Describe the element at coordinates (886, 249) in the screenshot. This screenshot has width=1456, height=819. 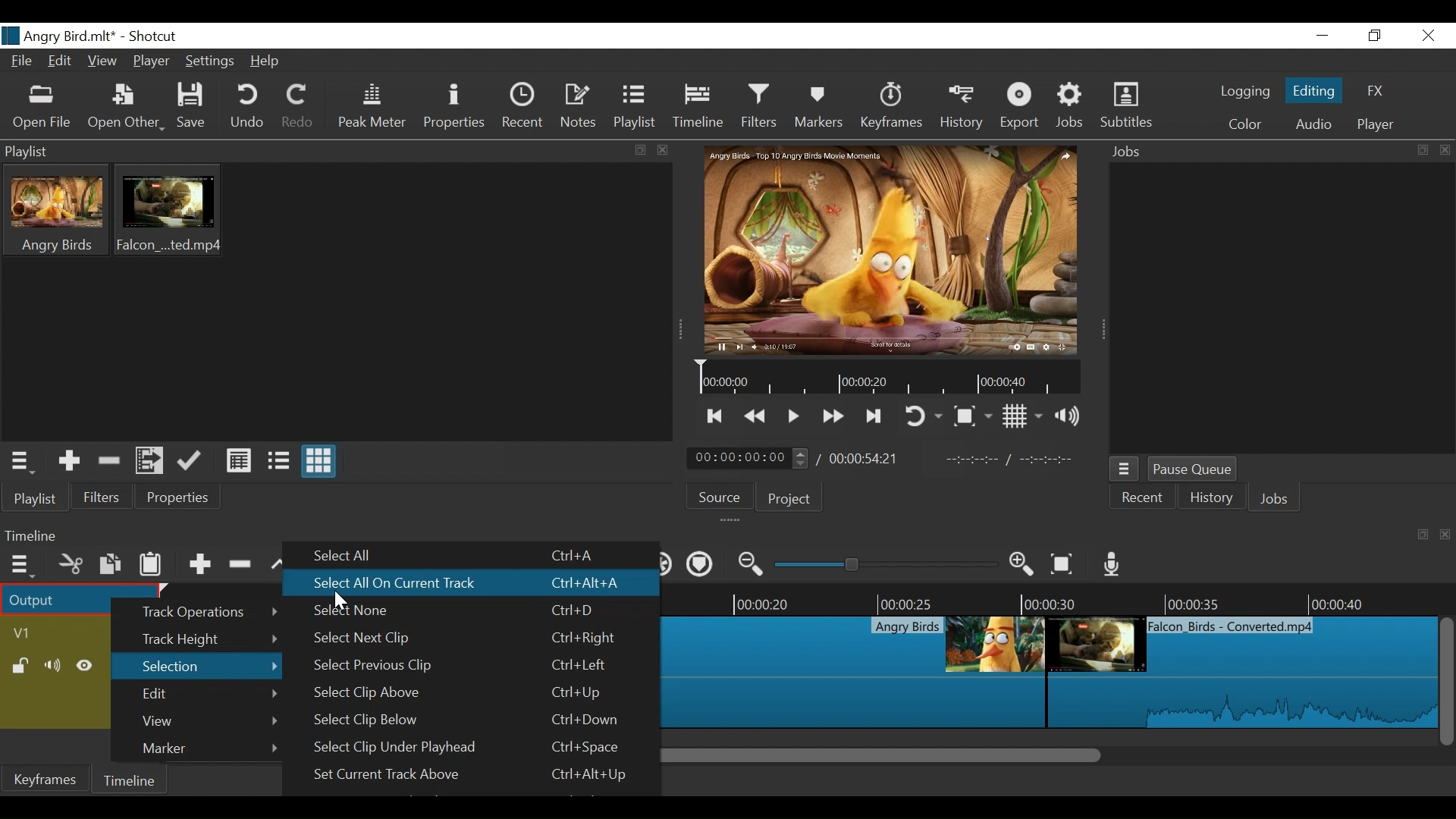
I see `Media Viewer` at that location.